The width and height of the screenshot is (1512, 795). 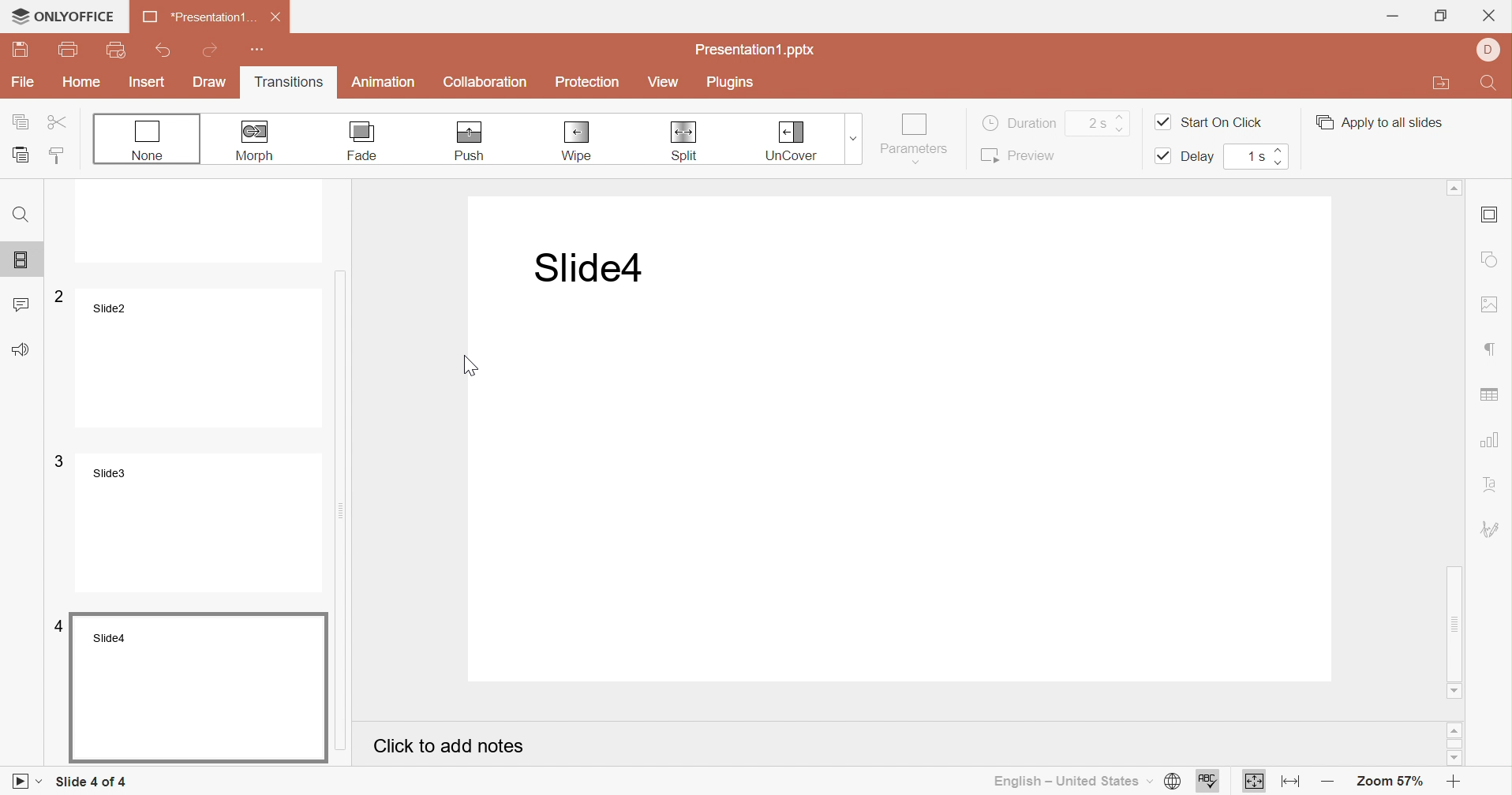 I want to click on Undo, so click(x=162, y=51).